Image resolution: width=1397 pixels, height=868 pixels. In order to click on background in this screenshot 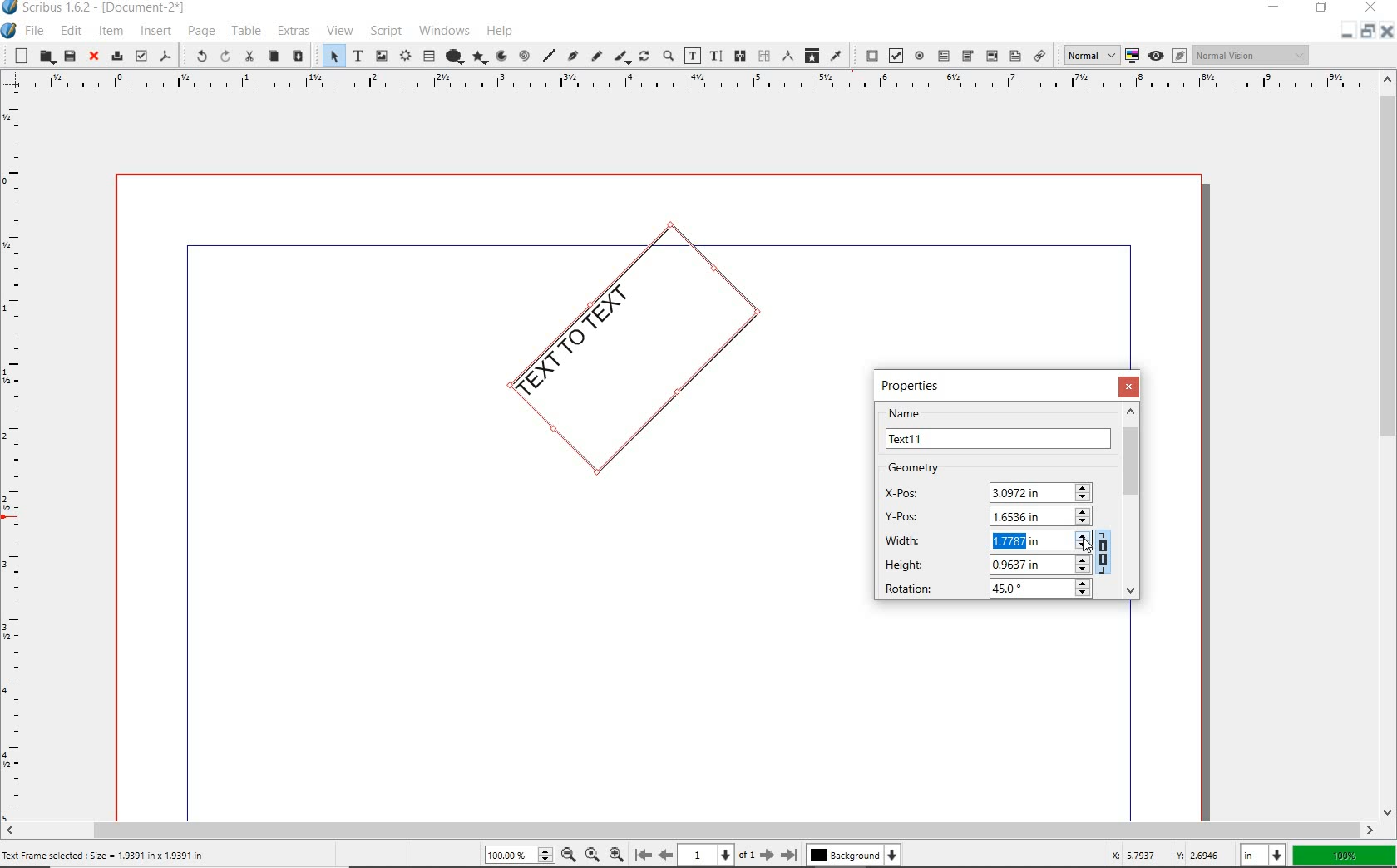, I will do `click(855, 855)`.